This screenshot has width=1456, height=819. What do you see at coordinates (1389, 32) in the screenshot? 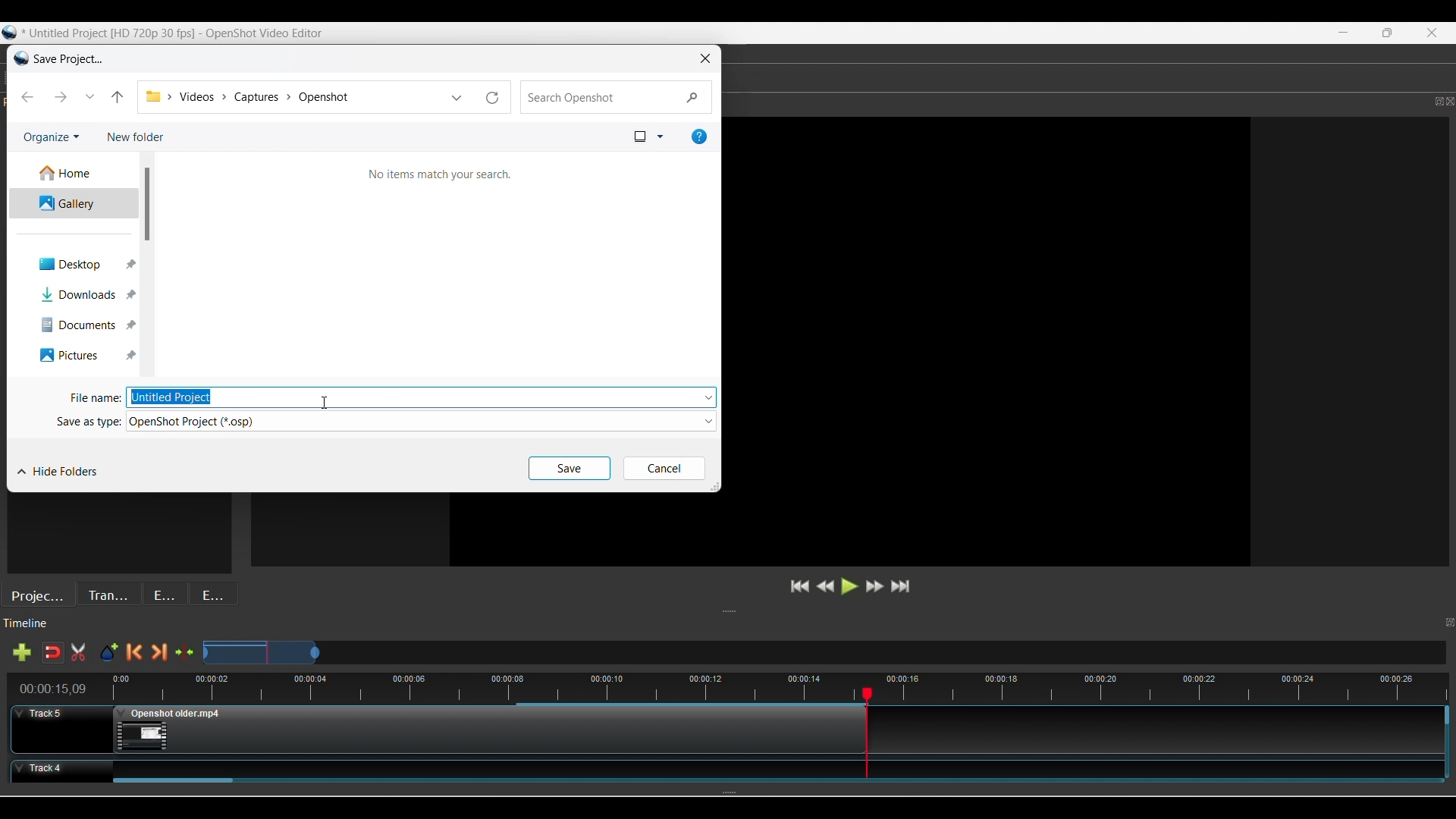
I see `maximize` at bounding box center [1389, 32].